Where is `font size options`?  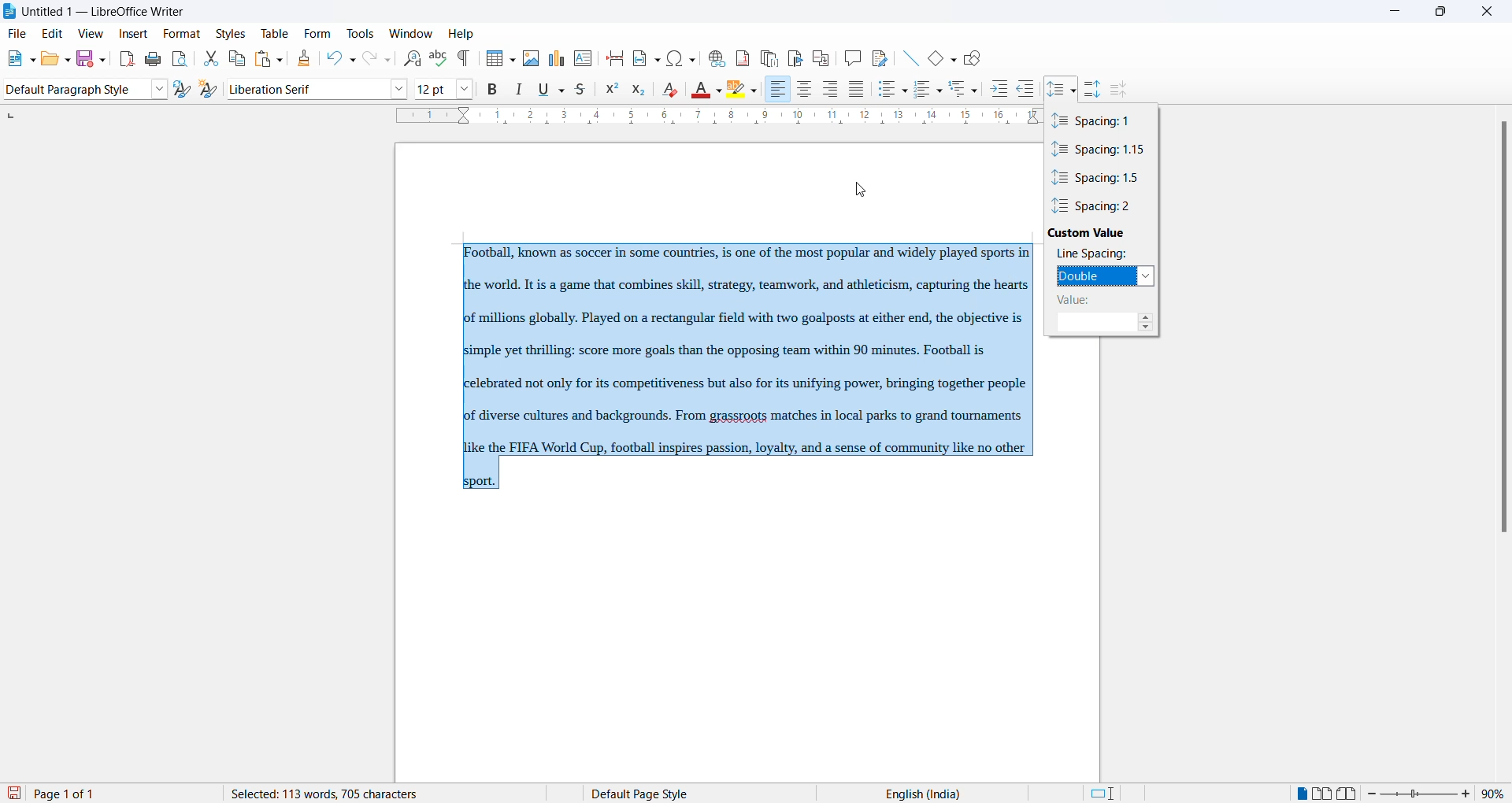 font size options is located at coordinates (465, 89).